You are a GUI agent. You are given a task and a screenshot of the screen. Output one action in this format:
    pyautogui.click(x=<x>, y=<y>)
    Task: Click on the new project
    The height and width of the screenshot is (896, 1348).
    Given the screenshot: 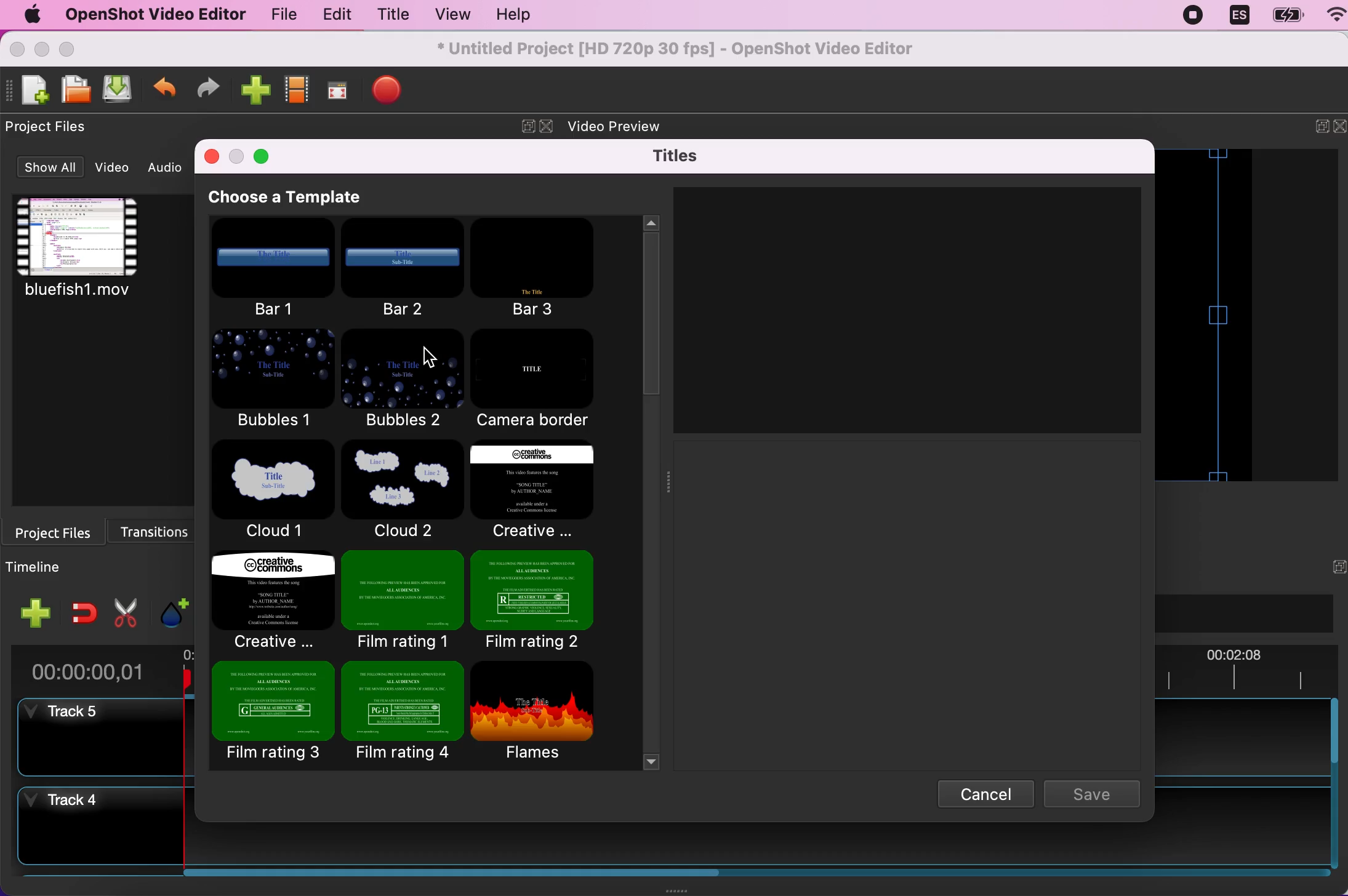 What is the action you would take?
    pyautogui.click(x=33, y=90)
    